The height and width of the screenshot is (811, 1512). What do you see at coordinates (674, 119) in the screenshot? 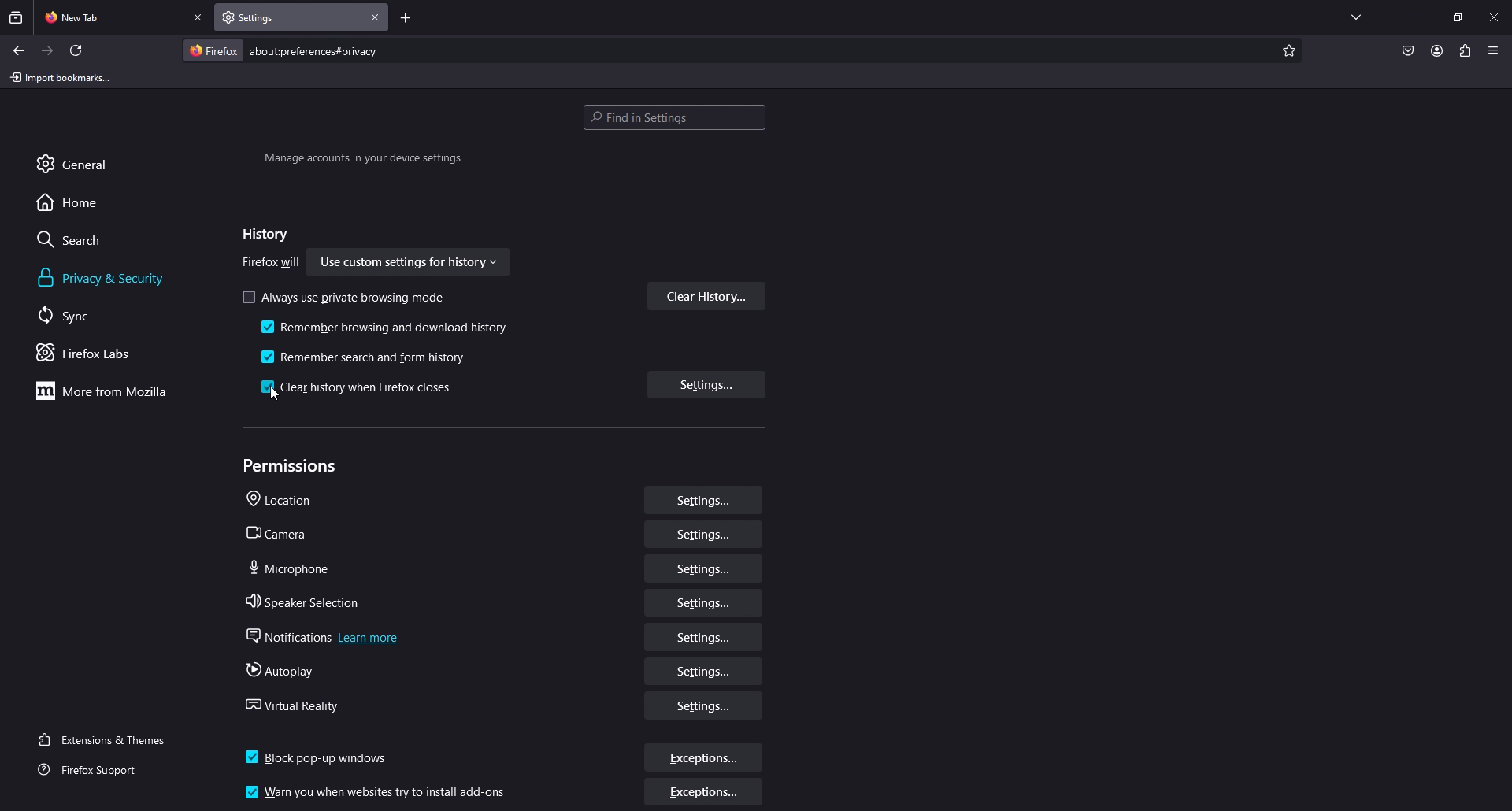
I see `search settings` at bounding box center [674, 119].